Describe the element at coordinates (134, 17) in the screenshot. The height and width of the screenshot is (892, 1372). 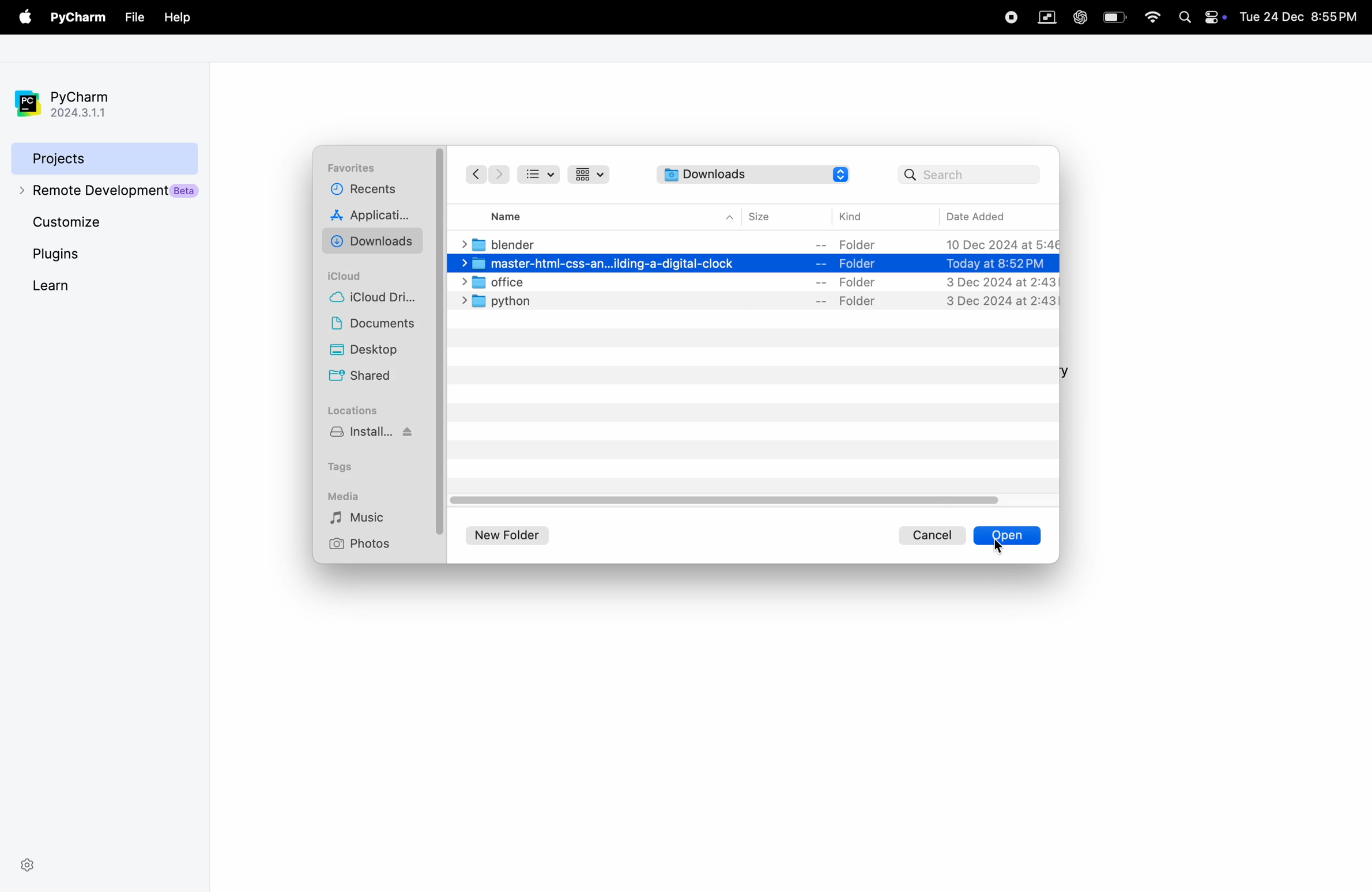
I see `file` at that location.